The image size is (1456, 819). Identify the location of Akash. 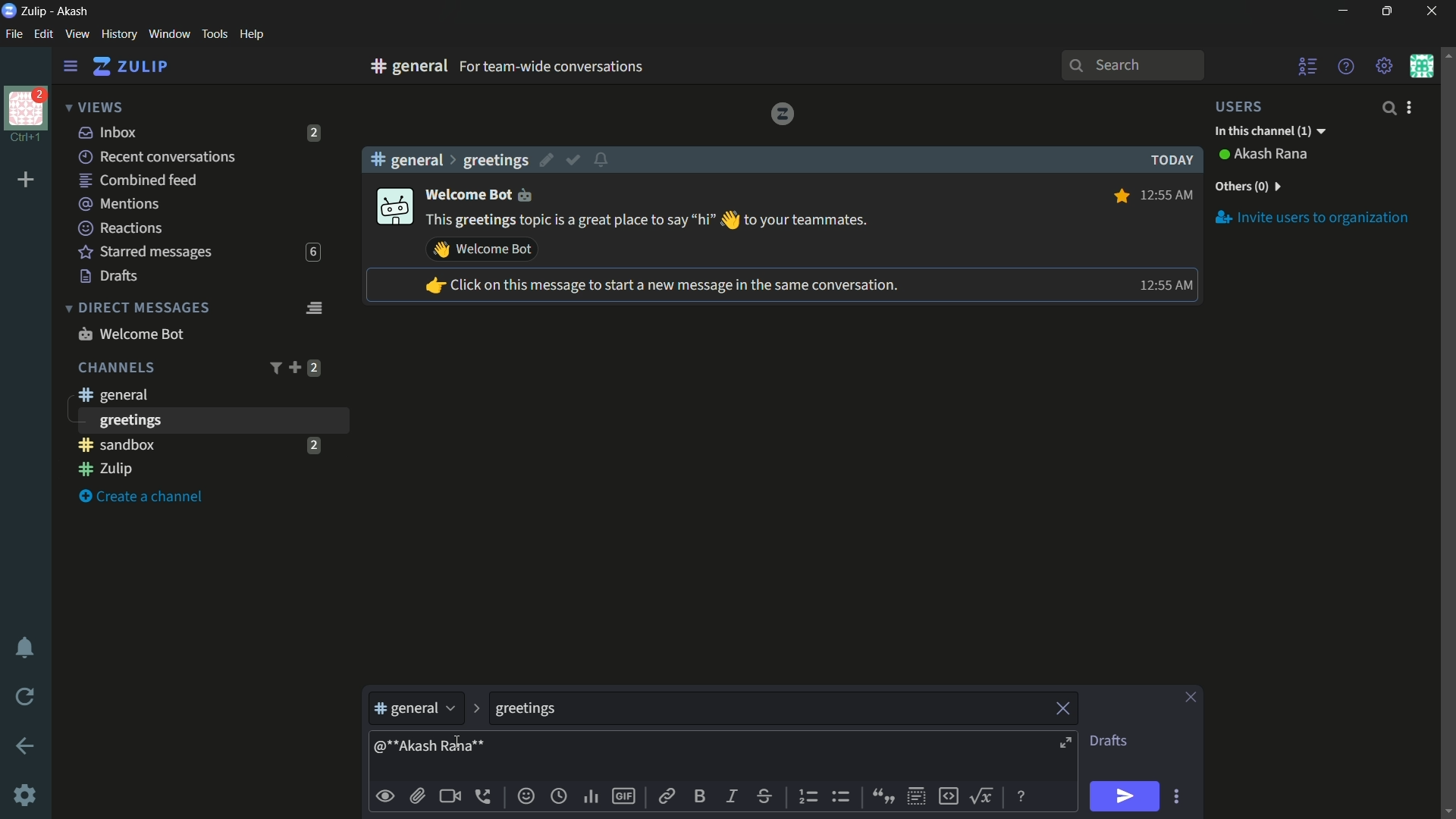
(74, 12).